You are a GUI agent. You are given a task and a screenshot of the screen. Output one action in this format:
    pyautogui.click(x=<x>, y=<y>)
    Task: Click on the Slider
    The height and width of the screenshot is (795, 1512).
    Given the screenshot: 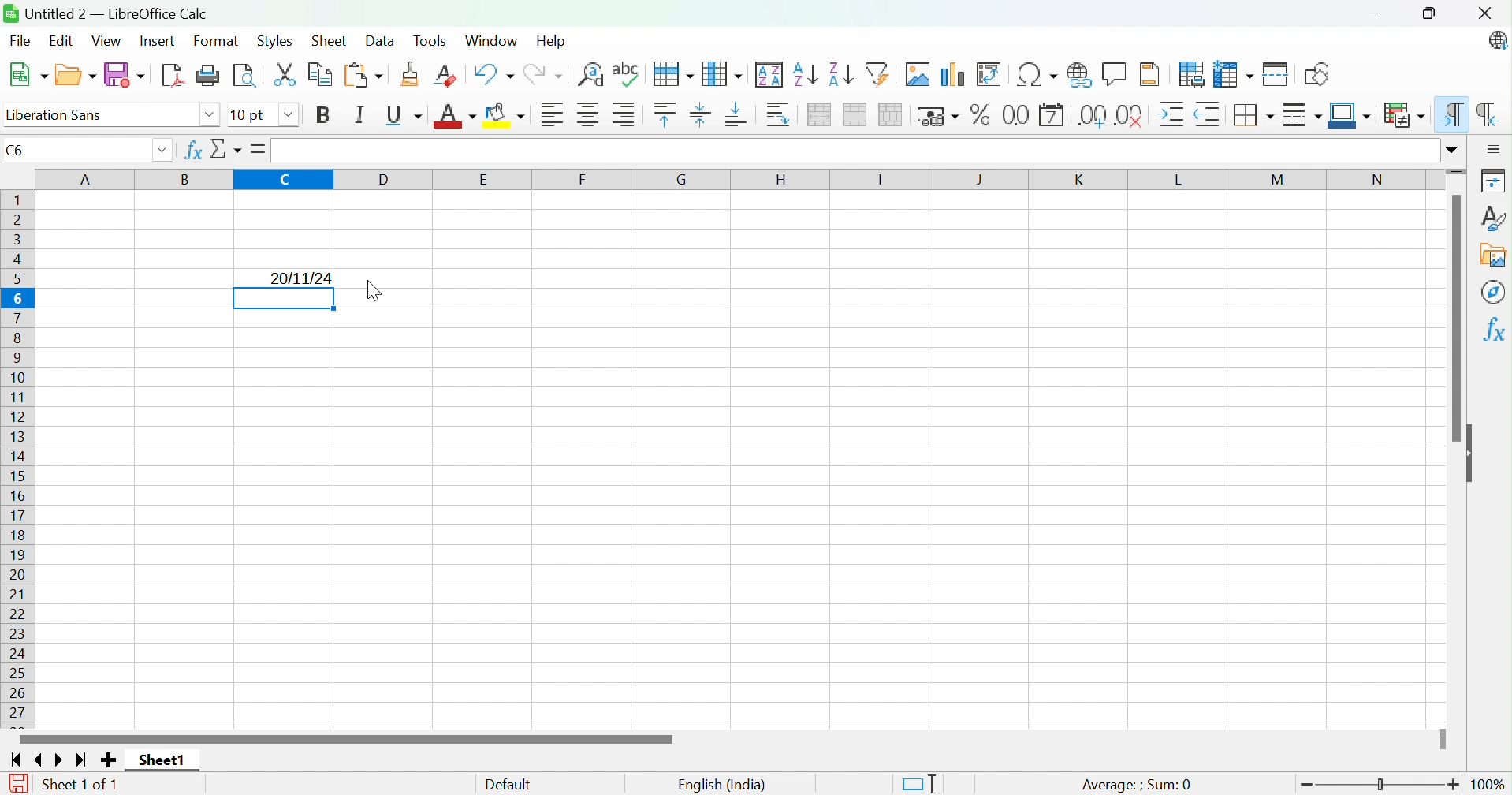 What is the action you would take?
    pyautogui.click(x=1441, y=738)
    